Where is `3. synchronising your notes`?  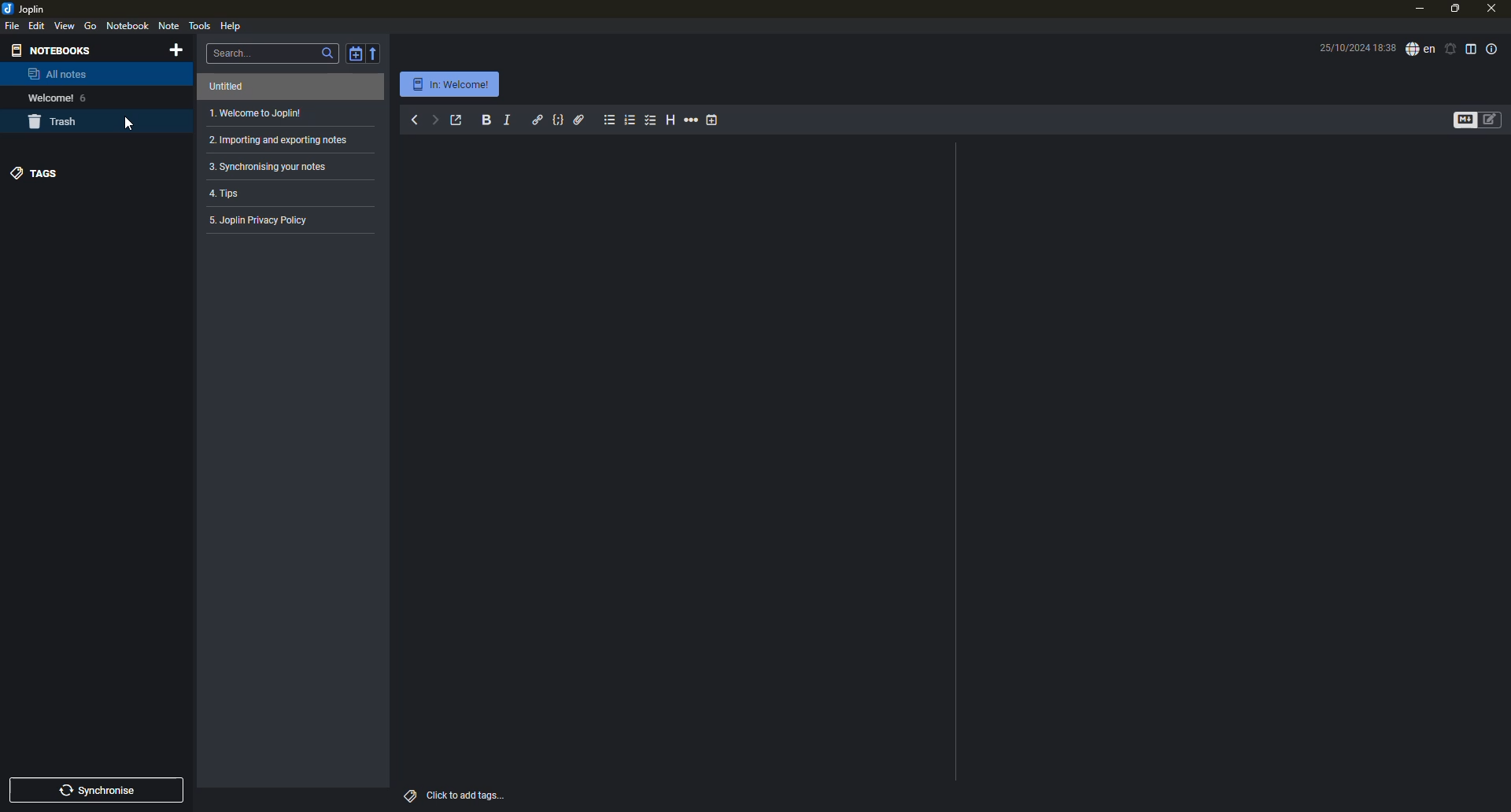
3. synchronising your notes is located at coordinates (275, 167).